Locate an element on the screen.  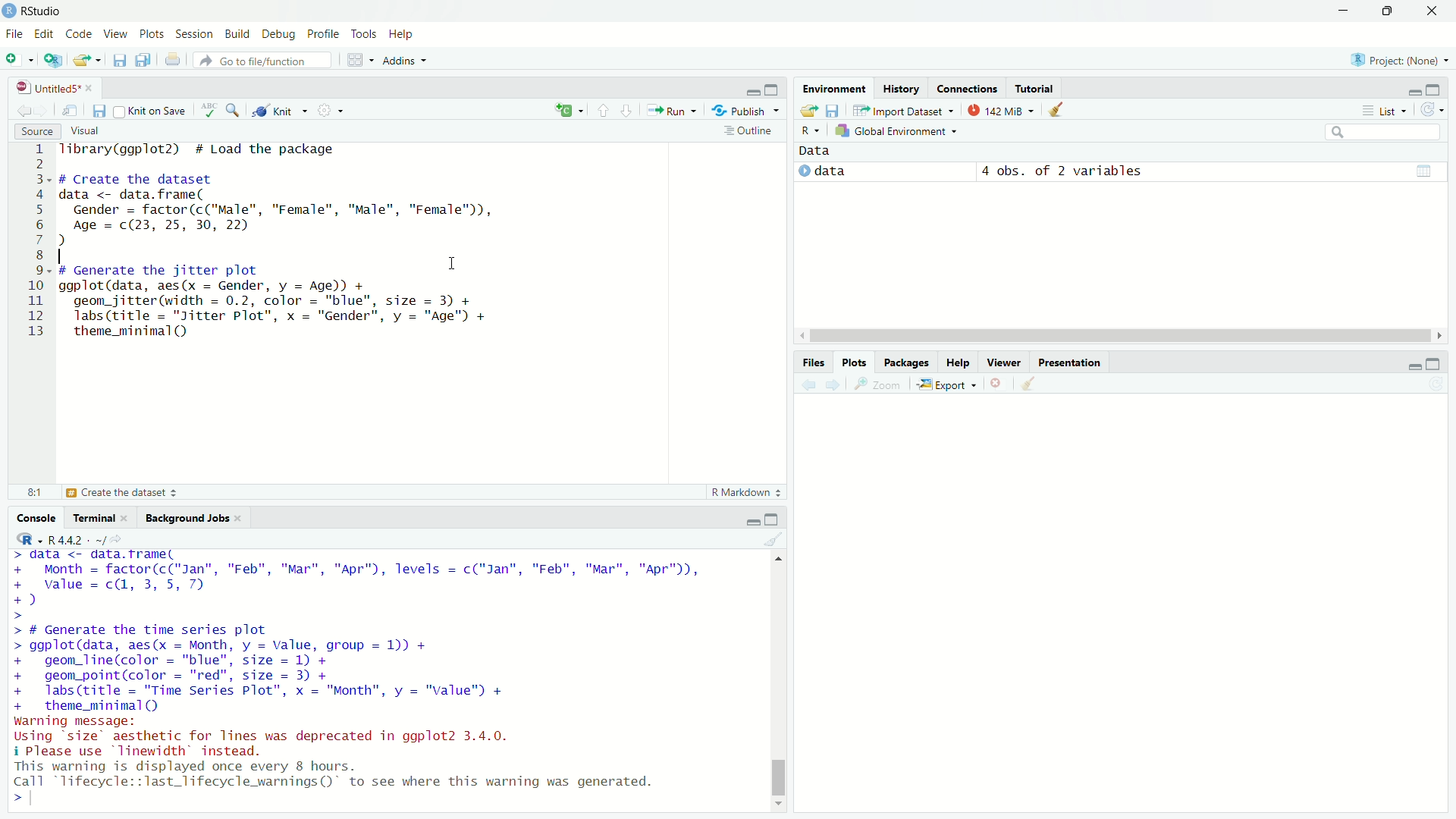
maximize is located at coordinates (776, 518).